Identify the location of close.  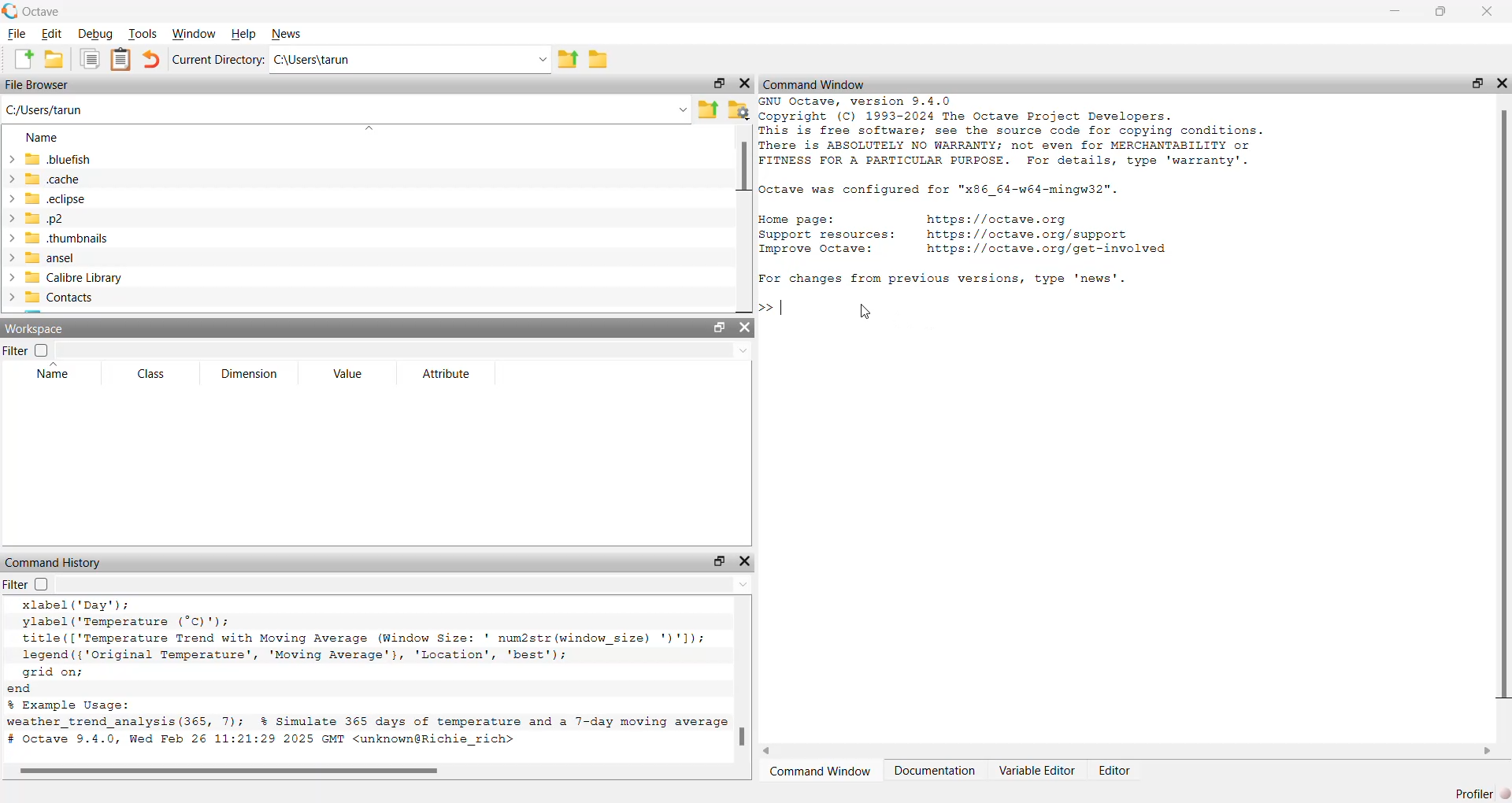
(1488, 13).